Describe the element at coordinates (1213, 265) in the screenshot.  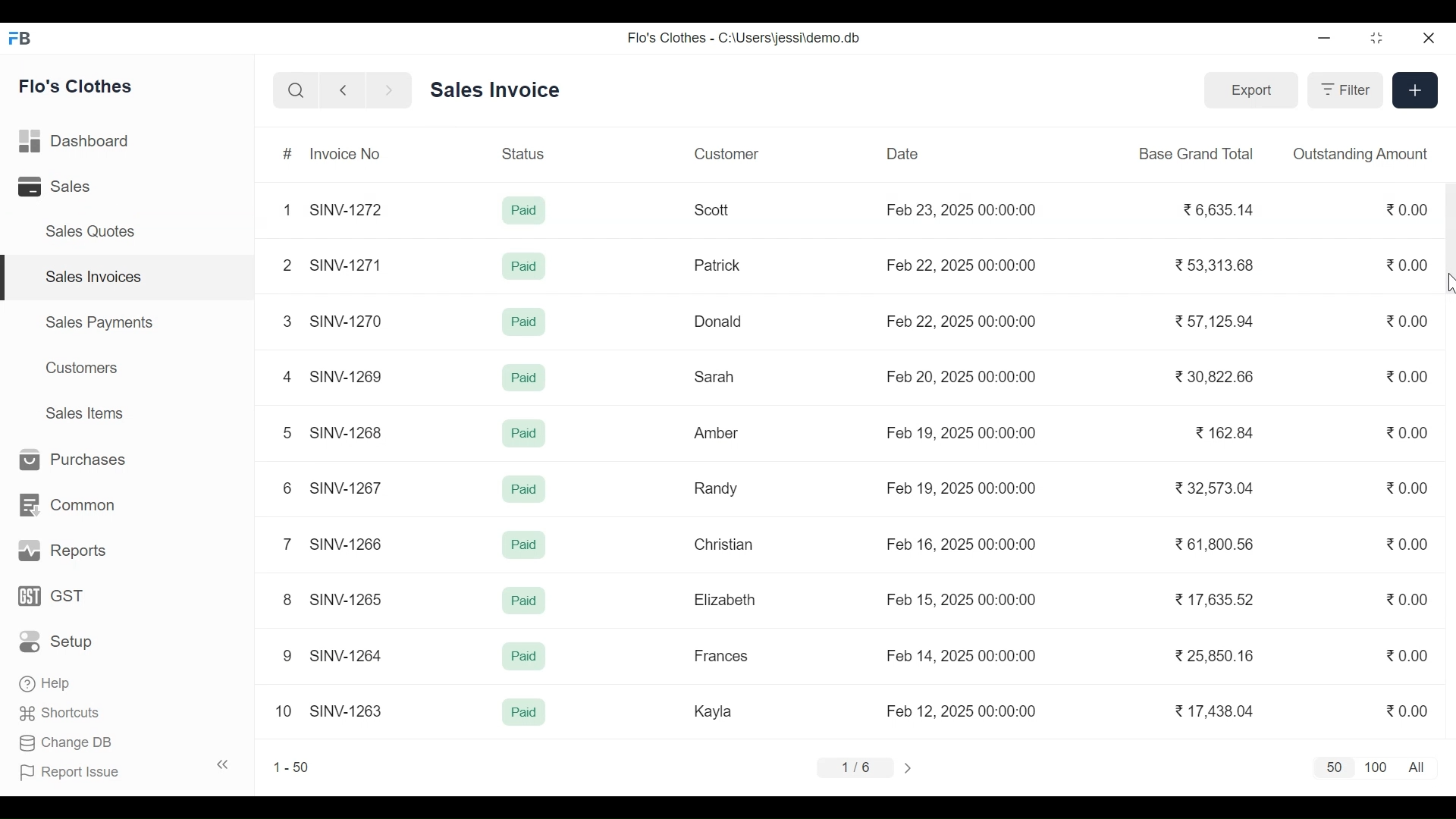
I see `53,313.68` at that location.